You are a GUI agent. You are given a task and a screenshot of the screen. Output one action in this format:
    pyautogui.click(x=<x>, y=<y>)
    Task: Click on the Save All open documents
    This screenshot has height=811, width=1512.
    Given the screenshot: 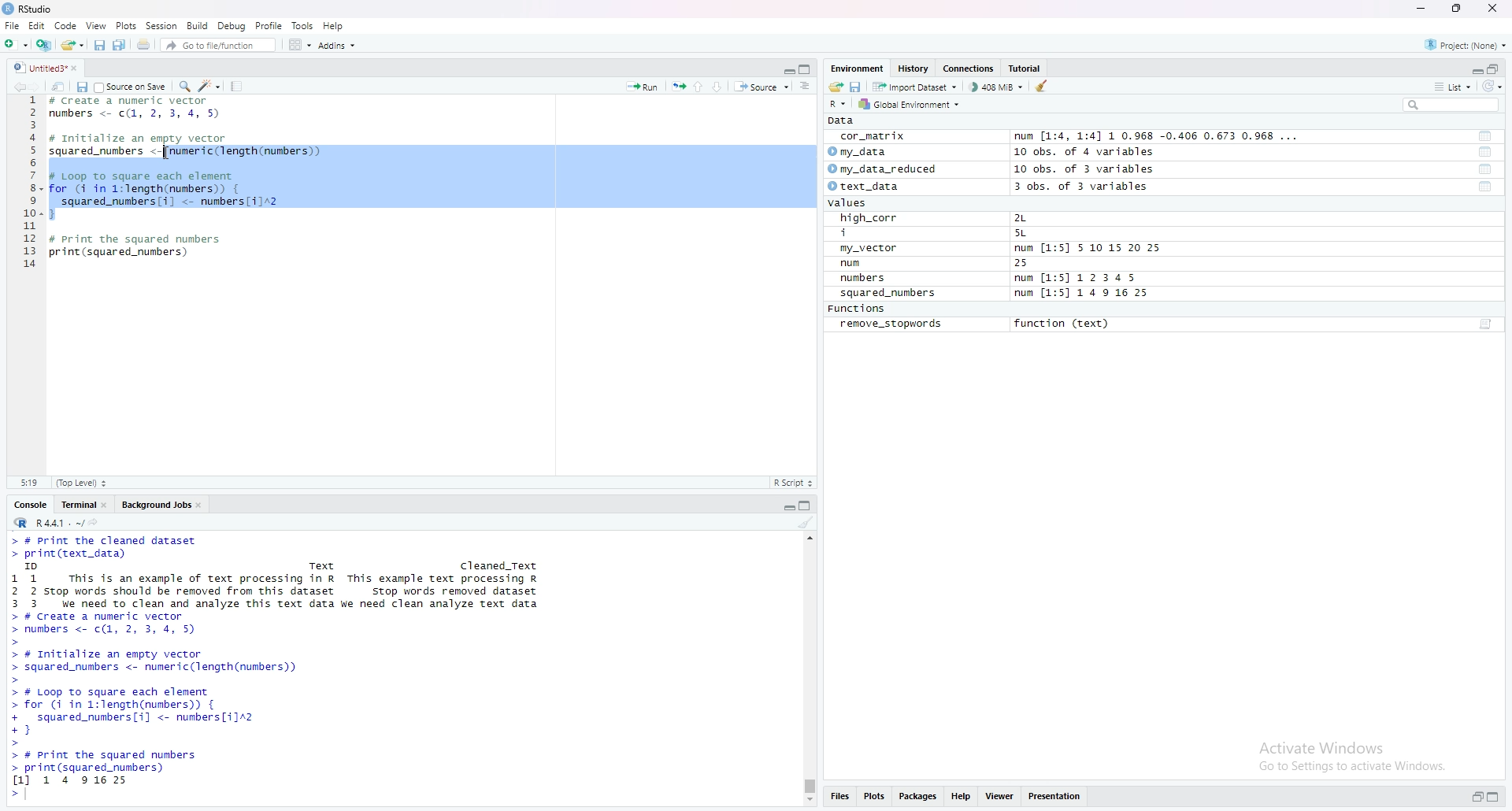 What is the action you would take?
    pyautogui.click(x=120, y=43)
    